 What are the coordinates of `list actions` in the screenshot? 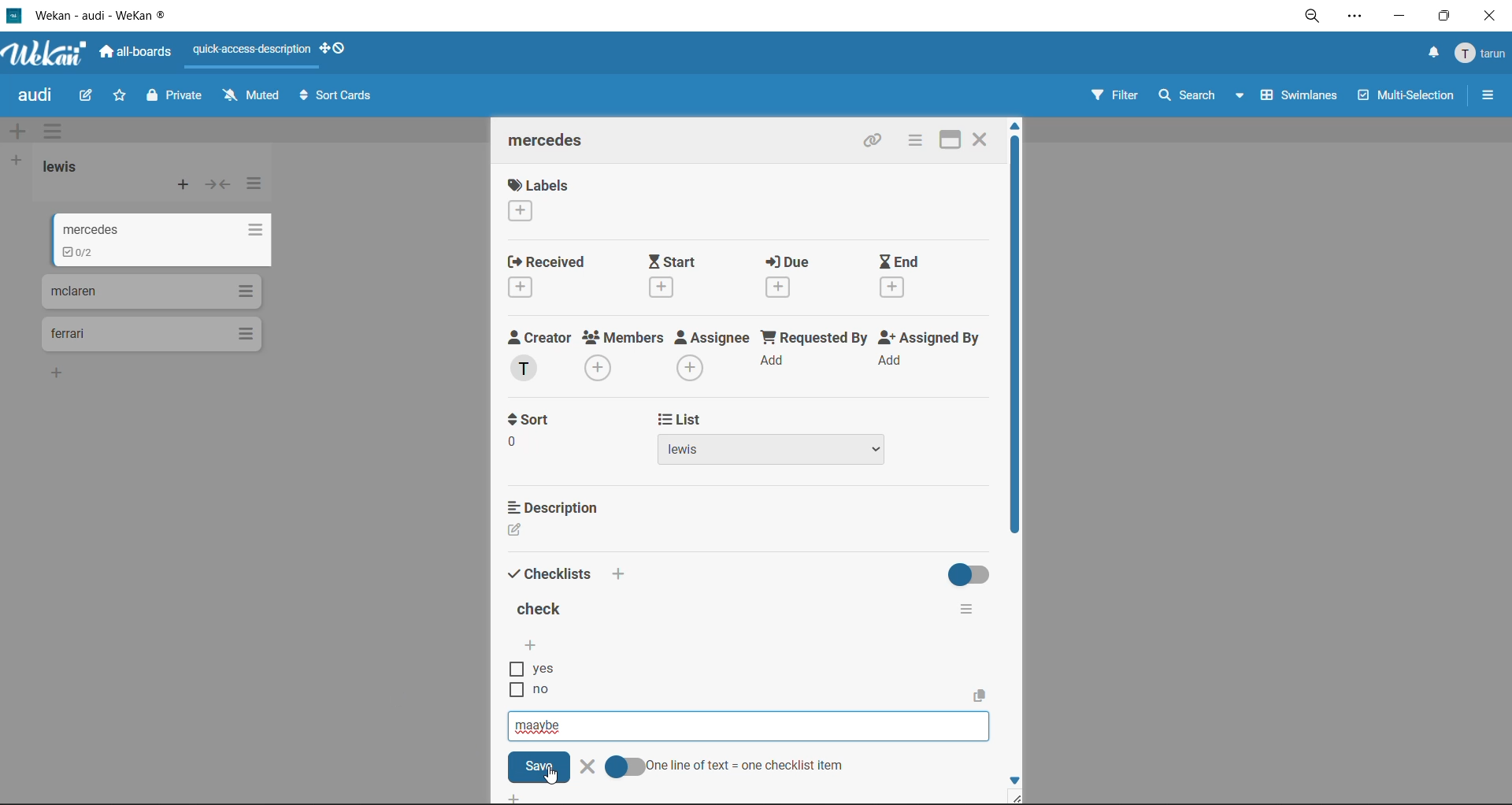 It's located at (243, 290).